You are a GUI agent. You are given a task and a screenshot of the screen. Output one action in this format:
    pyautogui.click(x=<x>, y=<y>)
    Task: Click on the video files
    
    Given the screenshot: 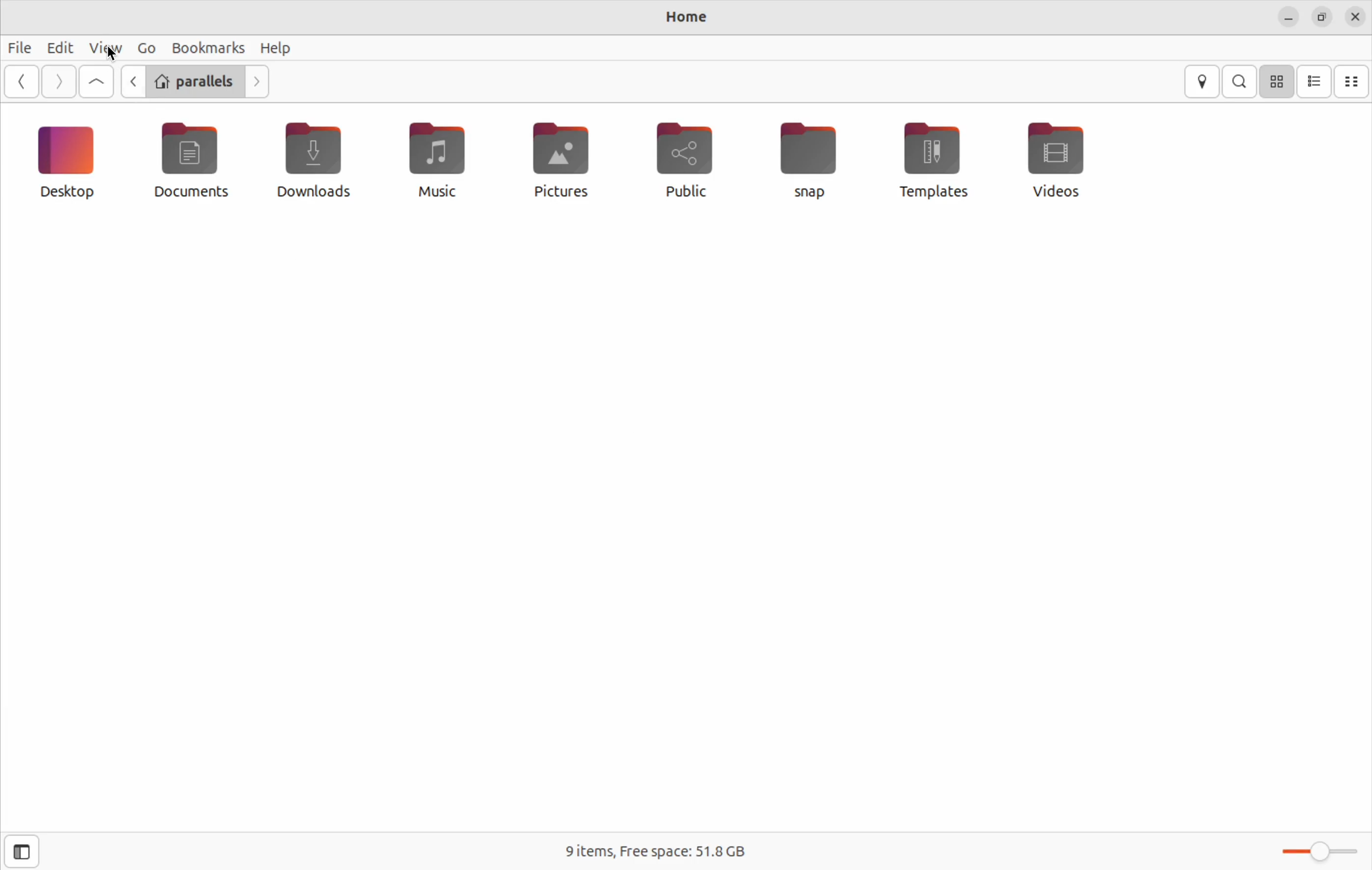 What is the action you would take?
    pyautogui.click(x=1060, y=158)
    